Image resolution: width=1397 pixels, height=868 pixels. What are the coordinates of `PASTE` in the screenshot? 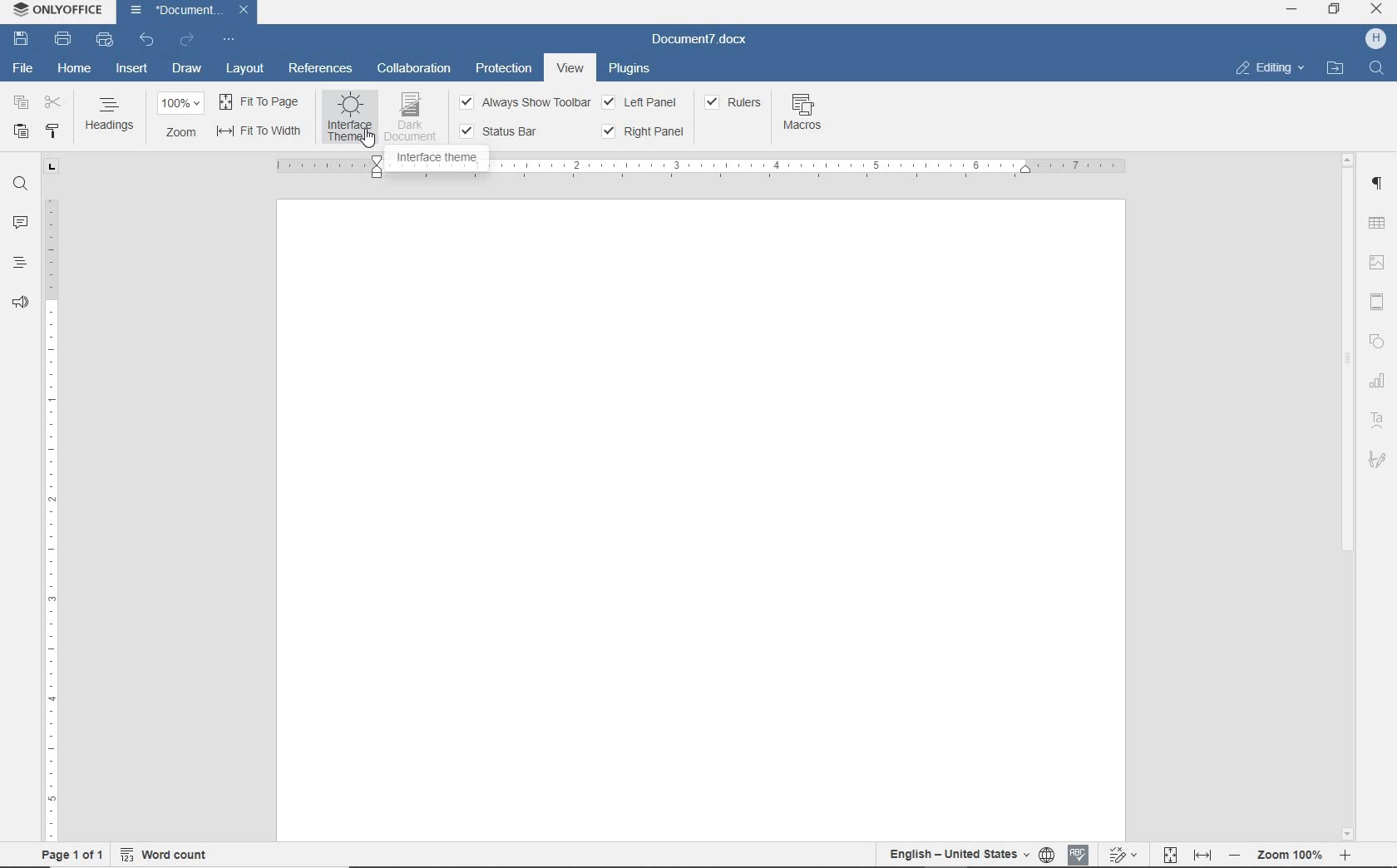 It's located at (20, 131).